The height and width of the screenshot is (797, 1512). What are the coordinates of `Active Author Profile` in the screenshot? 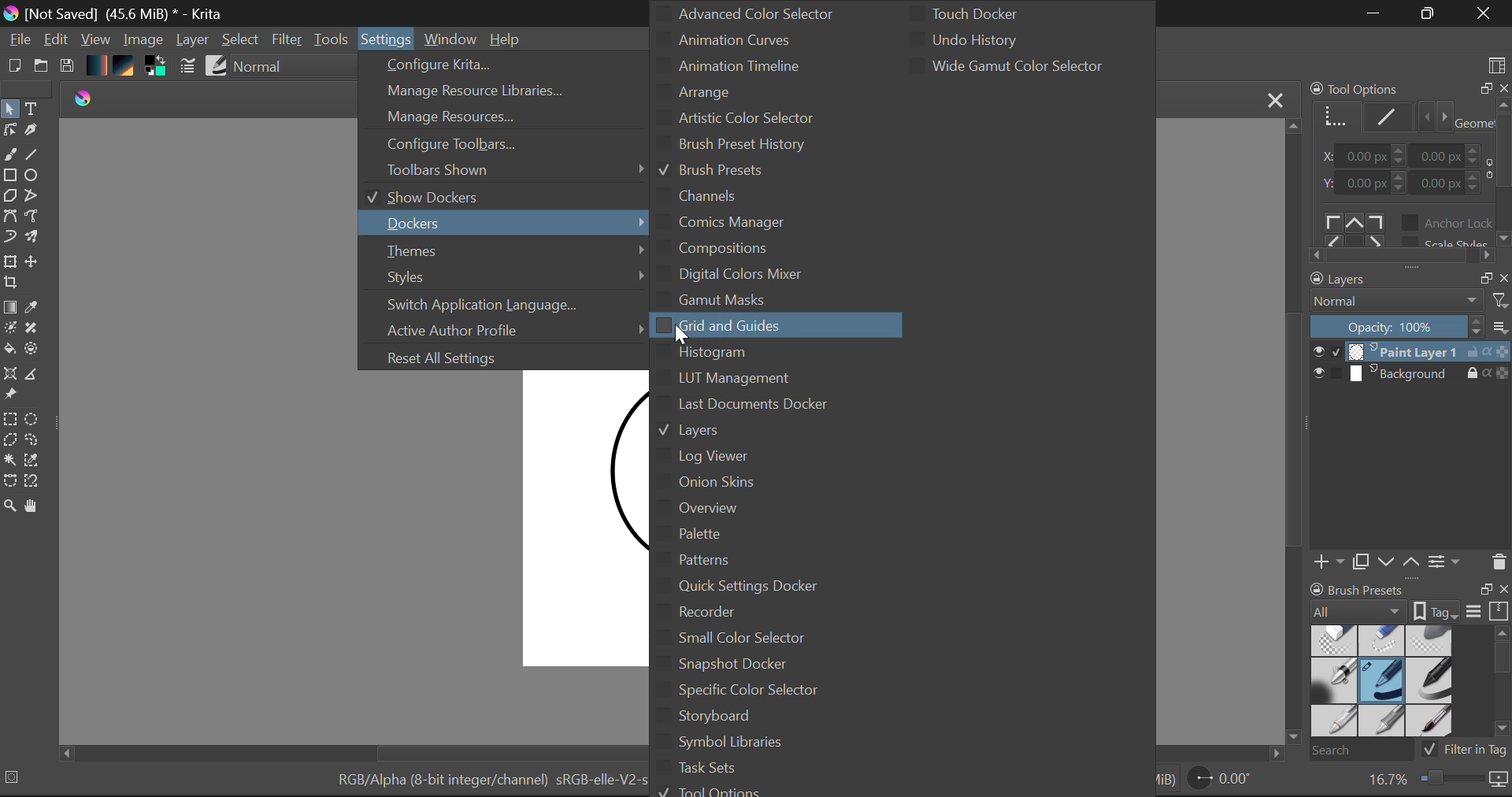 It's located at (503, 329).